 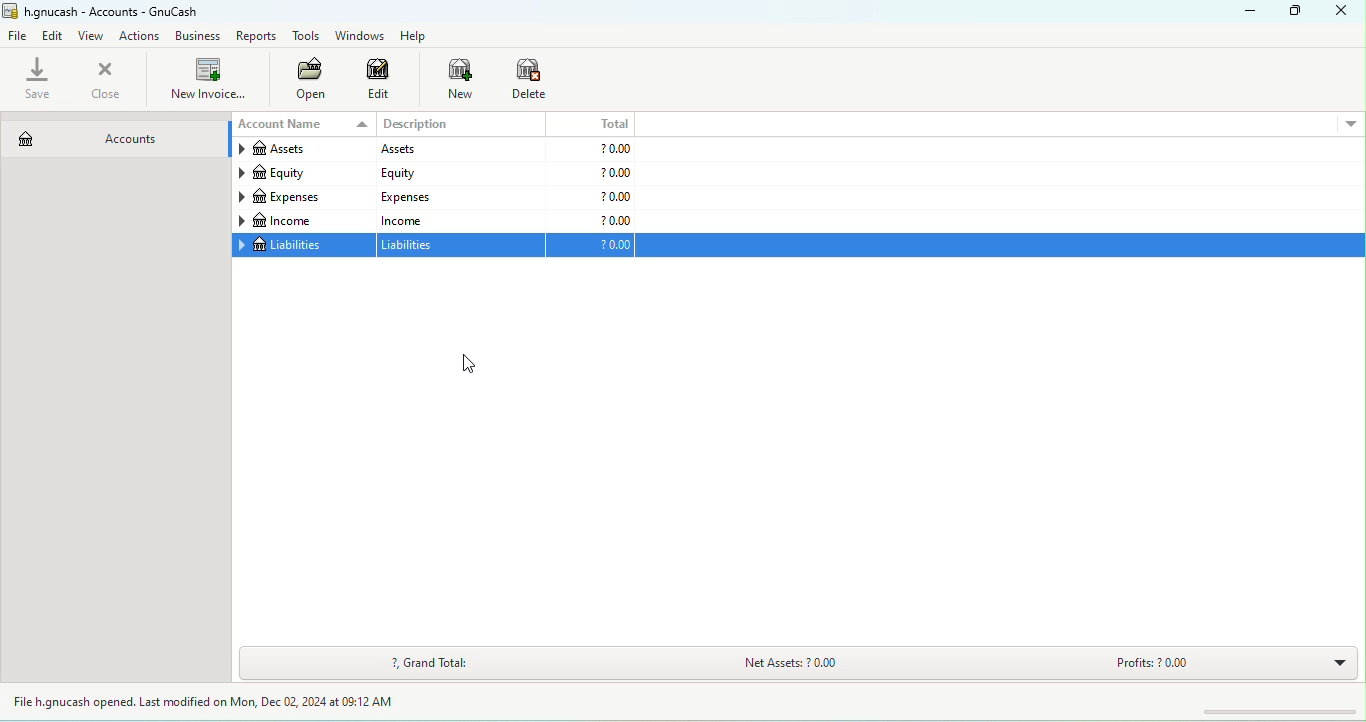 What do you see at coordinates (219, 703) in the screenshot?
I see `file h.gnucash opened last modified on mon, dec 02,2024 at 09.12 am` at bounding box center [219, 703].